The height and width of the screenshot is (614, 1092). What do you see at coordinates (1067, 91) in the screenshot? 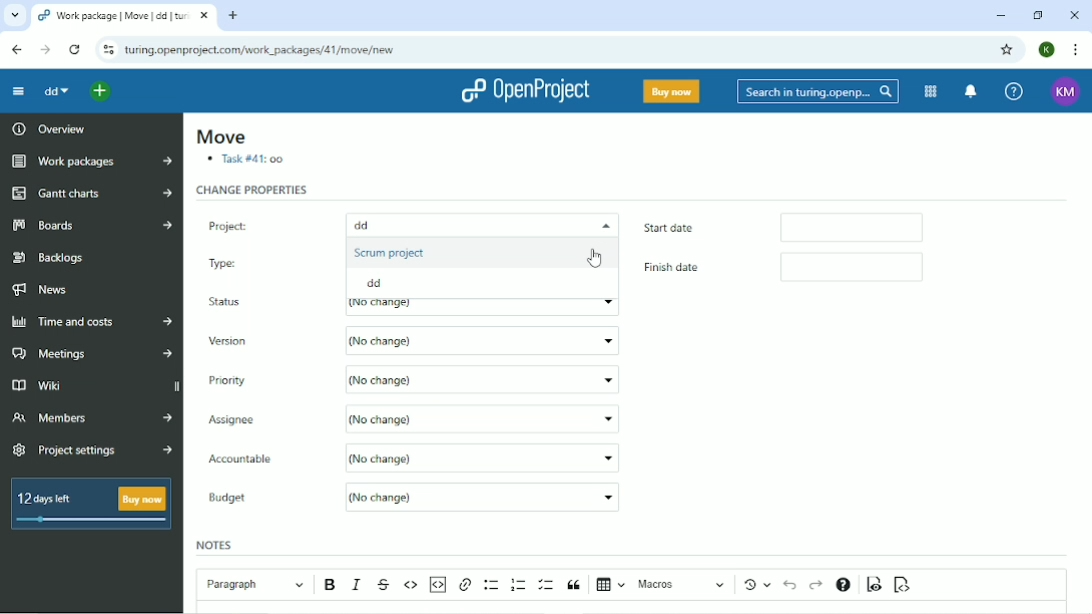
I see `KM` at bounding box center [1067, 91].